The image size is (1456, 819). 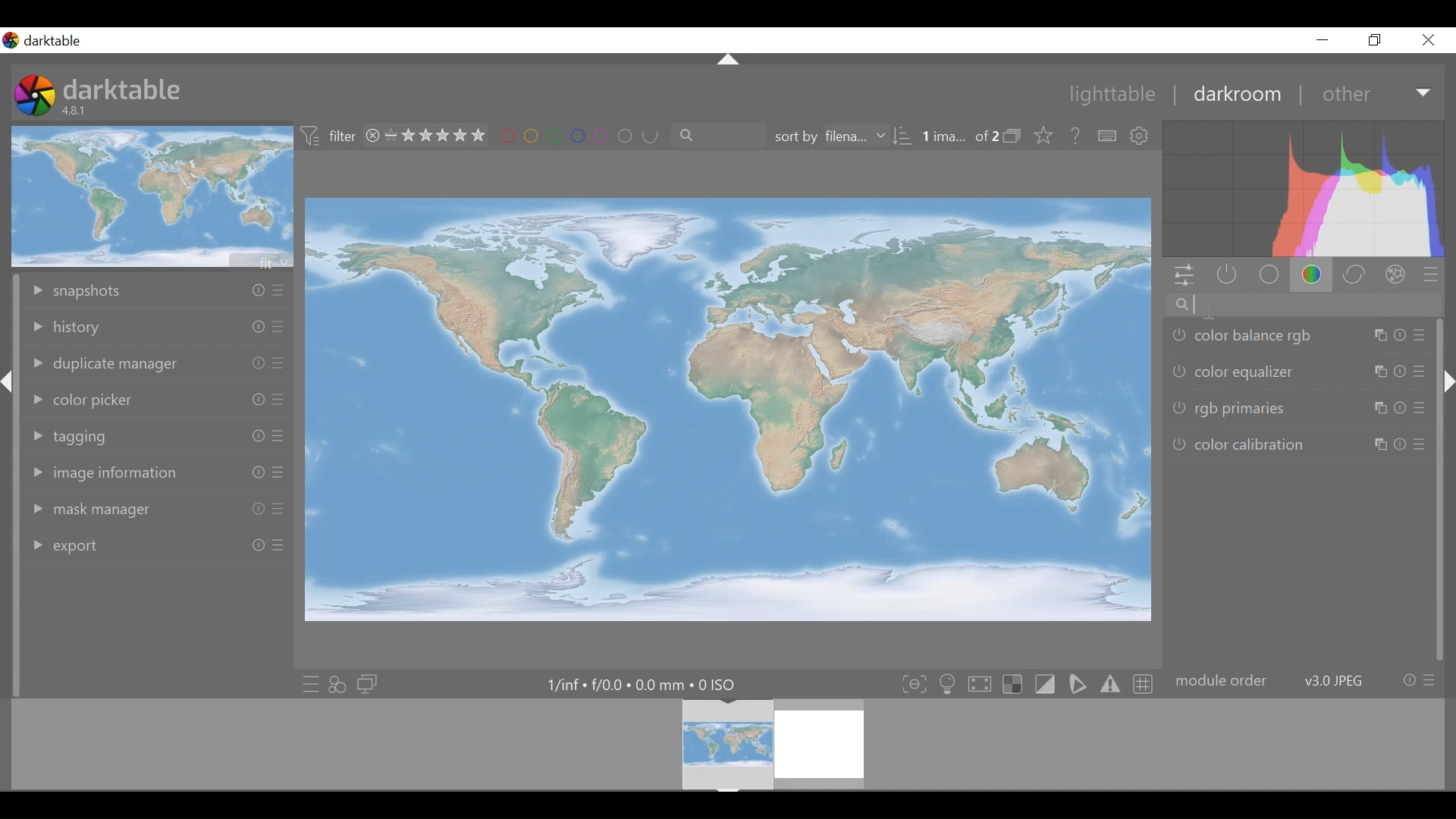 What do you see at coordinates (1235, 93) in the screenshot?
I see `darkroom` at bounding box center [1235, 93].